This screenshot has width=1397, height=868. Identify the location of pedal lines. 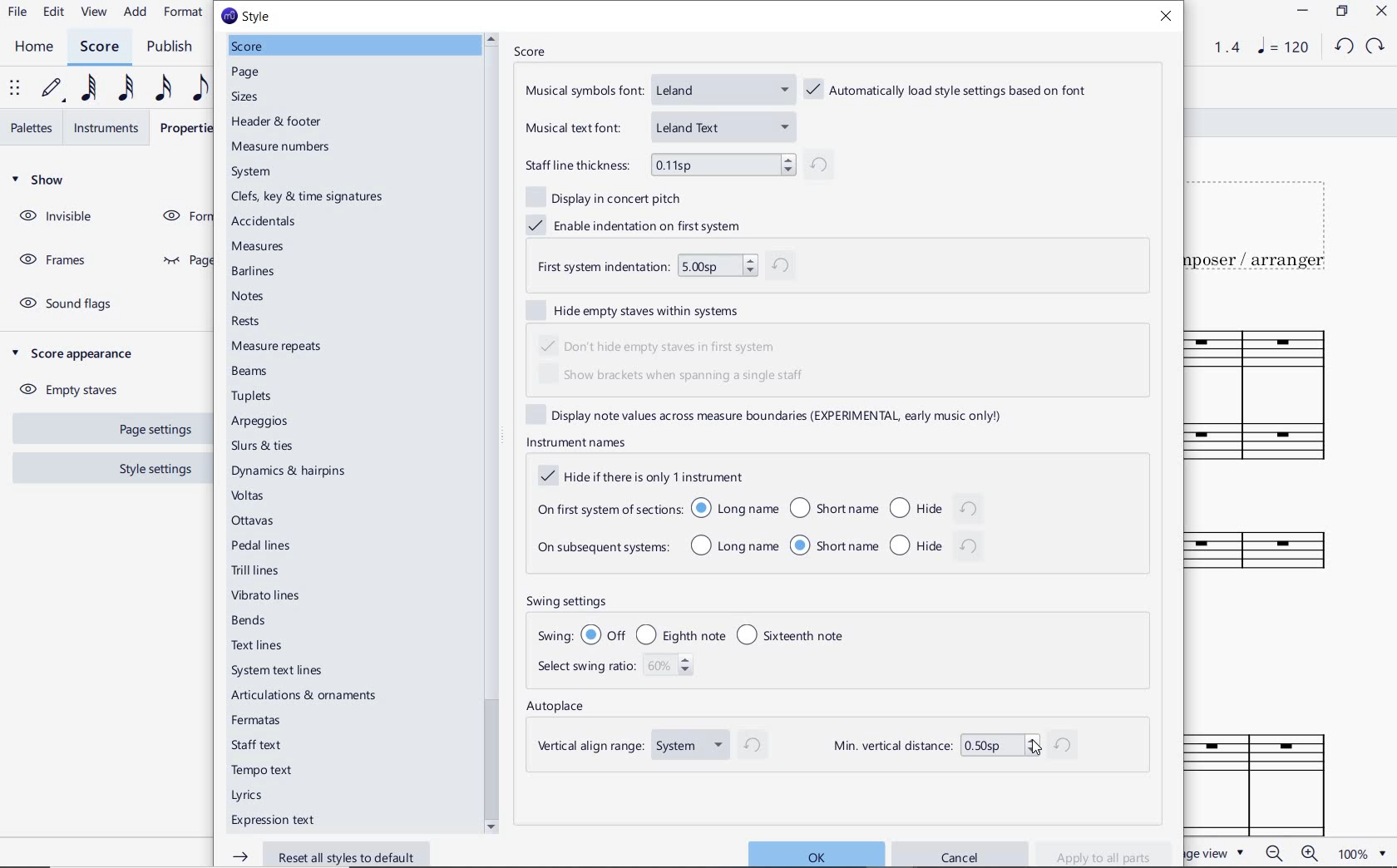
(261, 547).